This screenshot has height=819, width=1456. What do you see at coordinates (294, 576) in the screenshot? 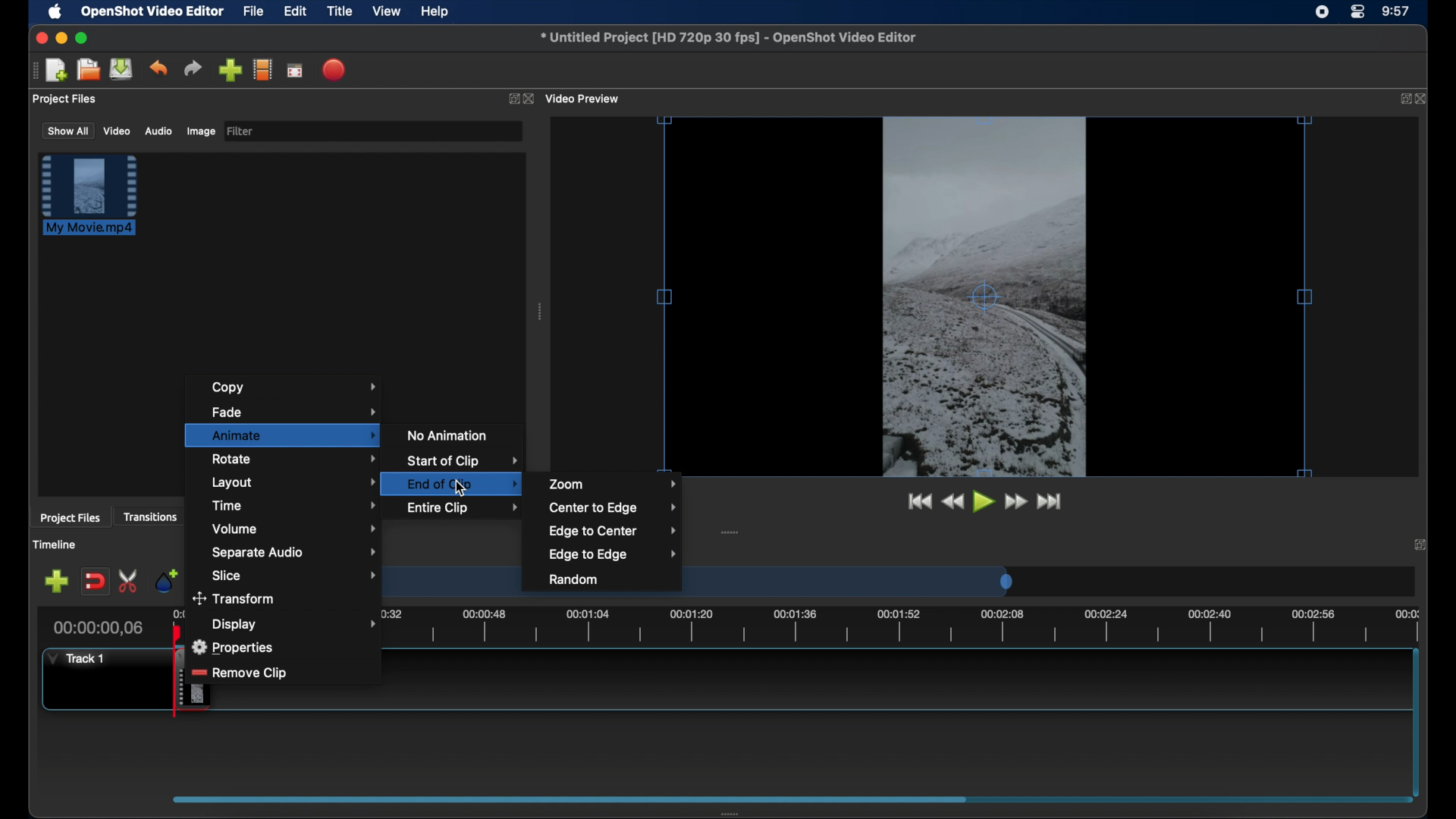
I see `slice menu` at bounding box center [294, 576].